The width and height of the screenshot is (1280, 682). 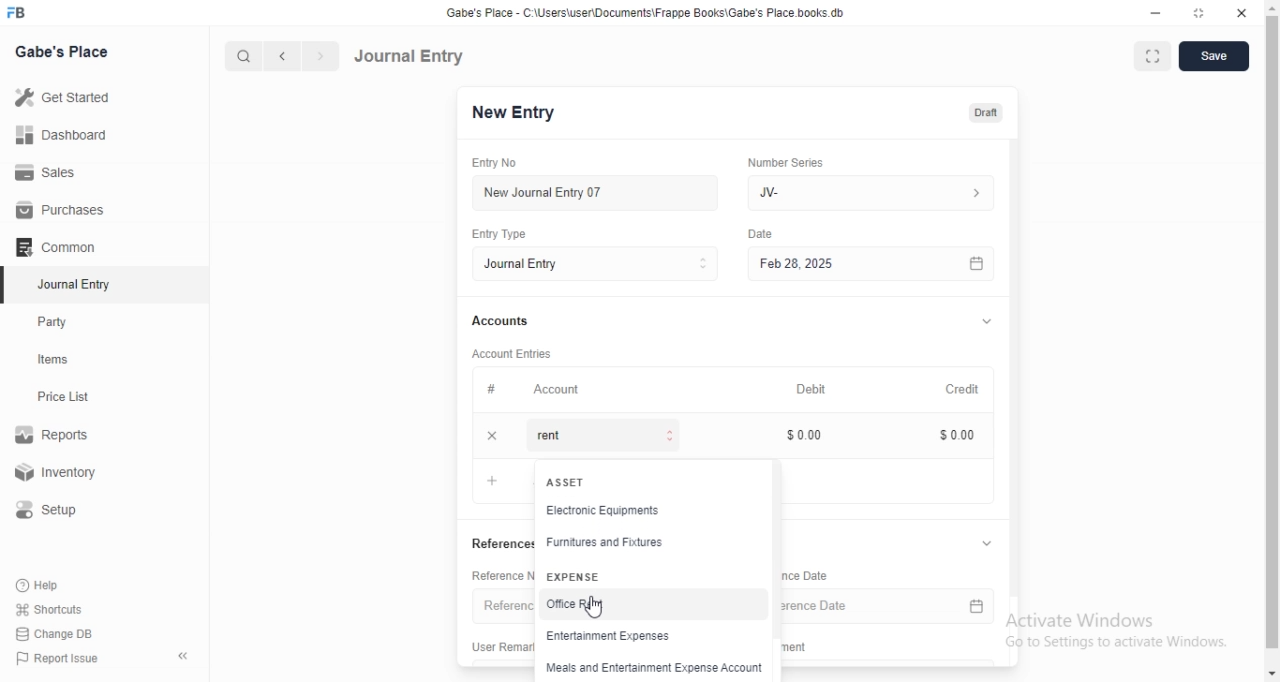 What do you see at coordinates (59, 135) in the screenshot?
I see `Dashboard` at bounding box center [59, 135].